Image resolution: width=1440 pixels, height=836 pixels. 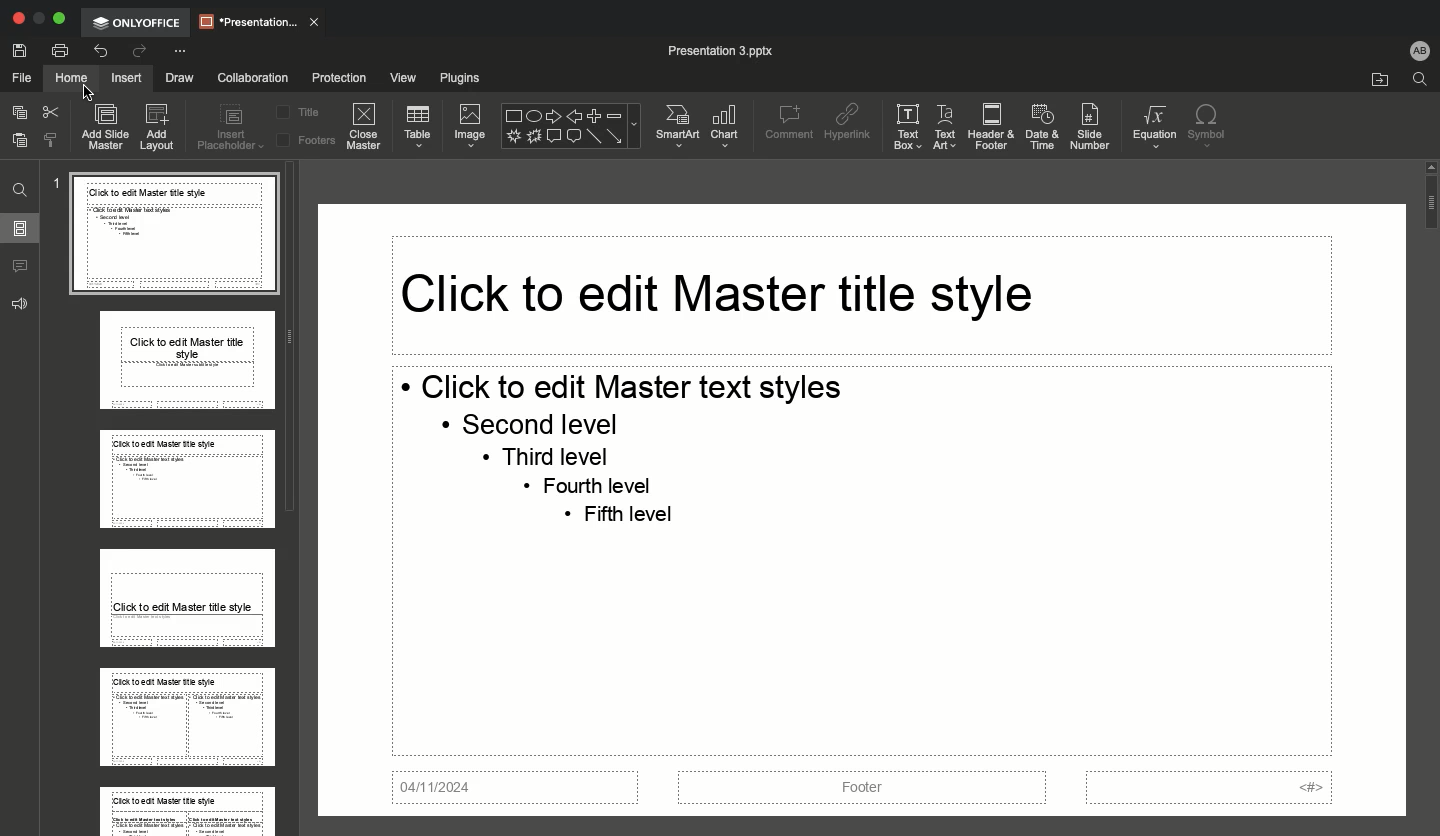 What do you see at coordinates (19, 50) in the screenshot?
I see `Save` at bounding box center [19, 50].